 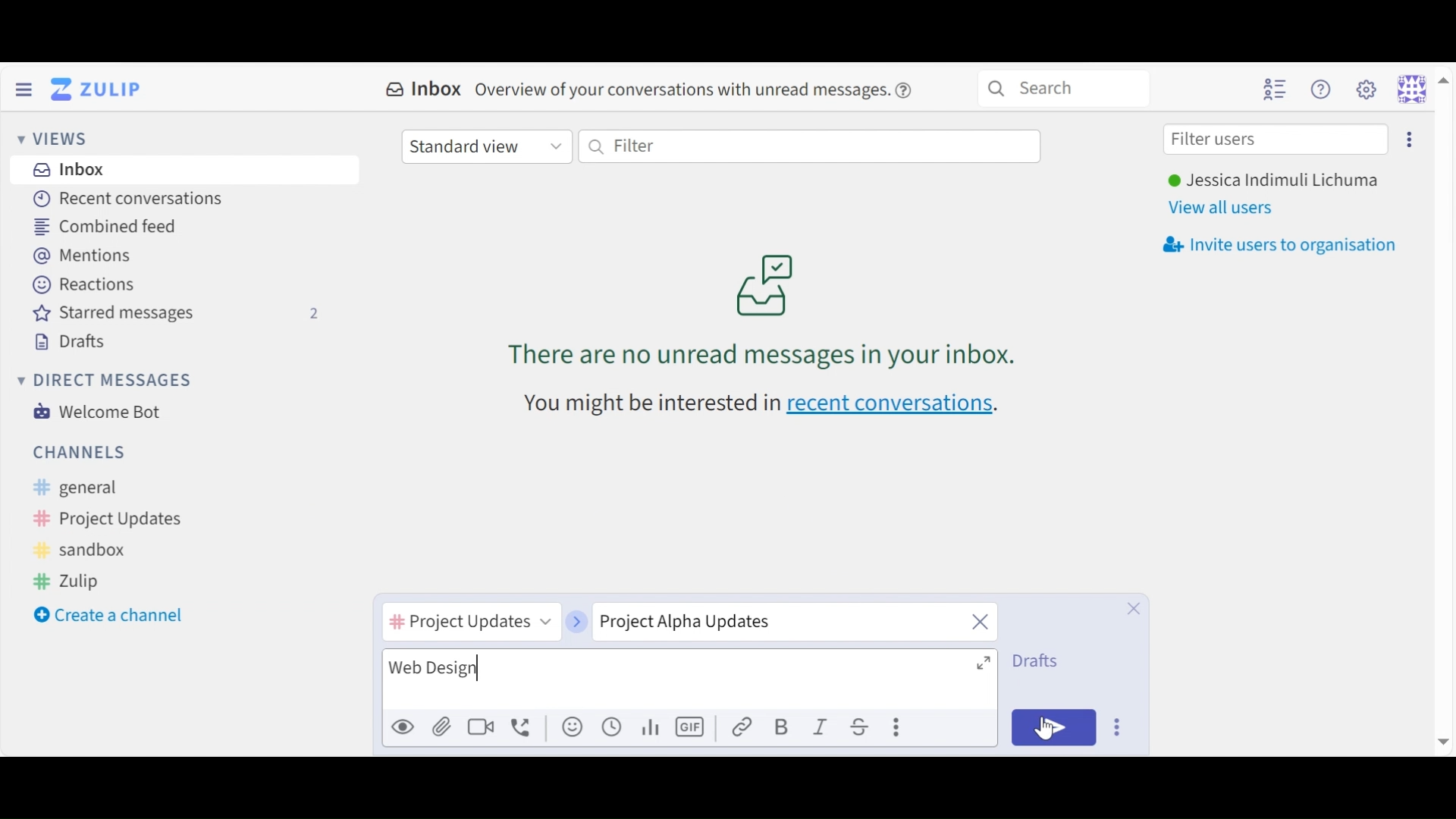 What do you see at coordinates (1226, 207) in the screenshot?
I see `View all users` at bounding box center [1226, 207].